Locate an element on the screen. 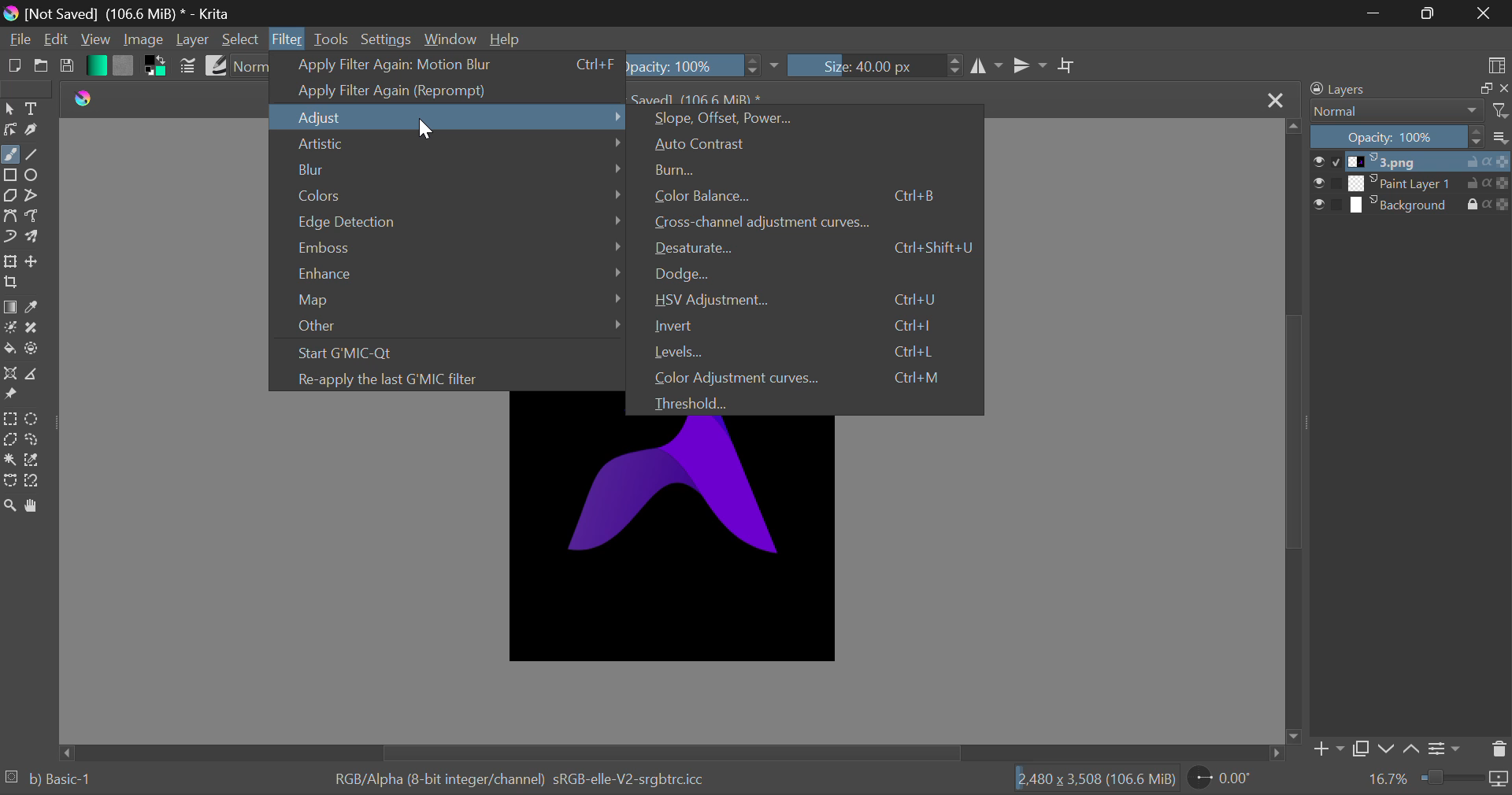  Select is located at coordinates (242, 39).